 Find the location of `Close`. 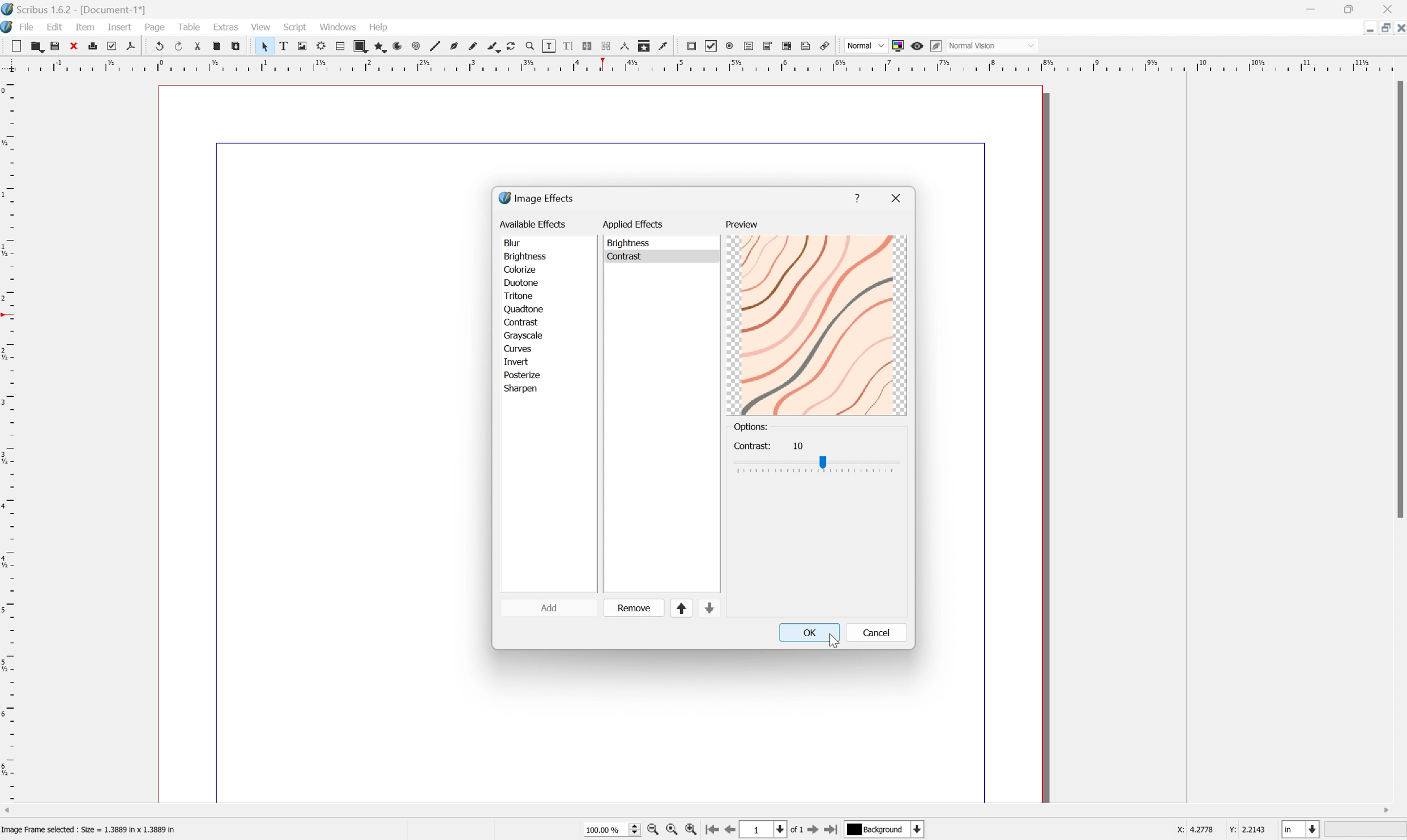

Close is located at coordinates (75, 46).